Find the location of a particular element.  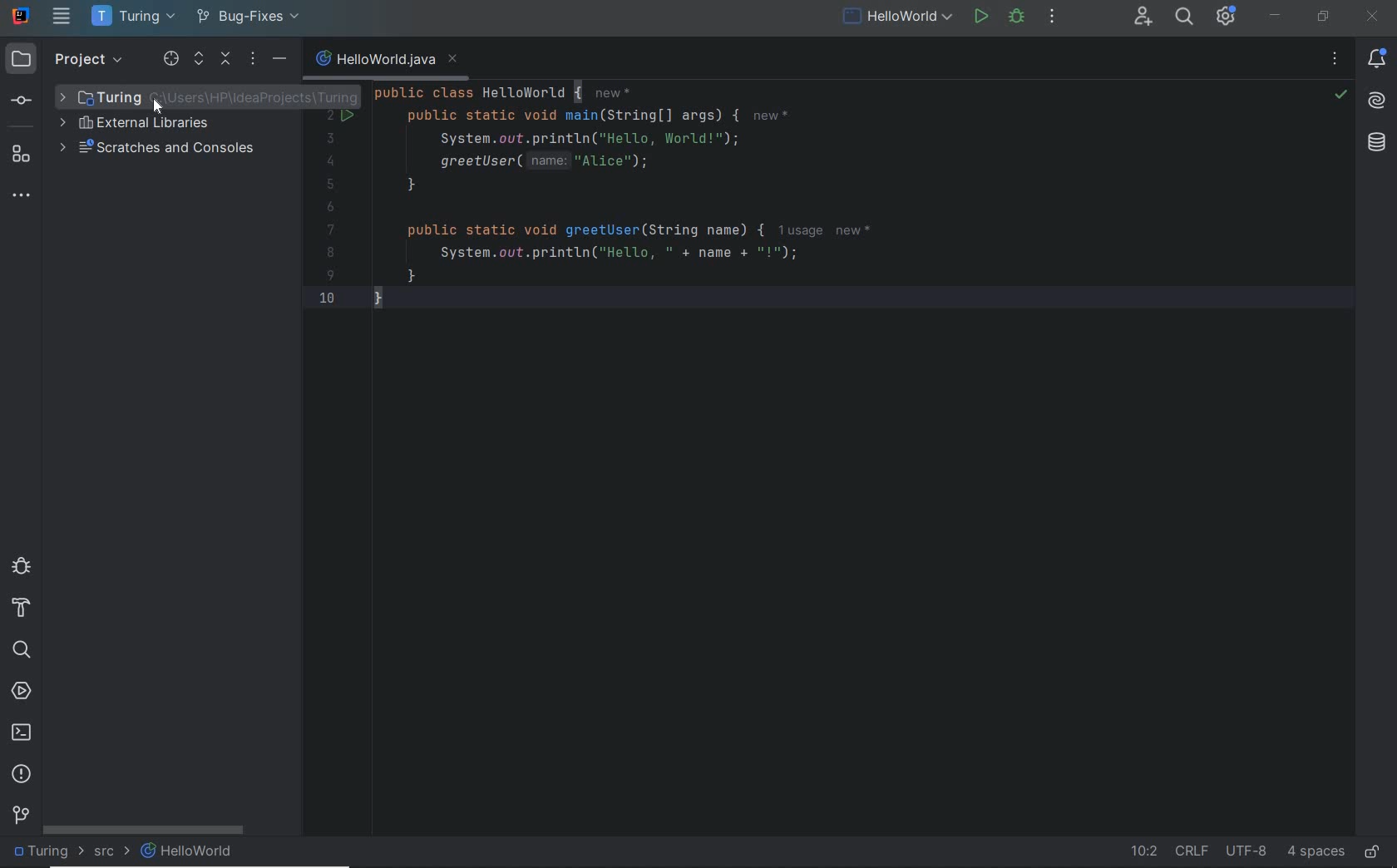

line separator is located at coordinates (1194, 852).